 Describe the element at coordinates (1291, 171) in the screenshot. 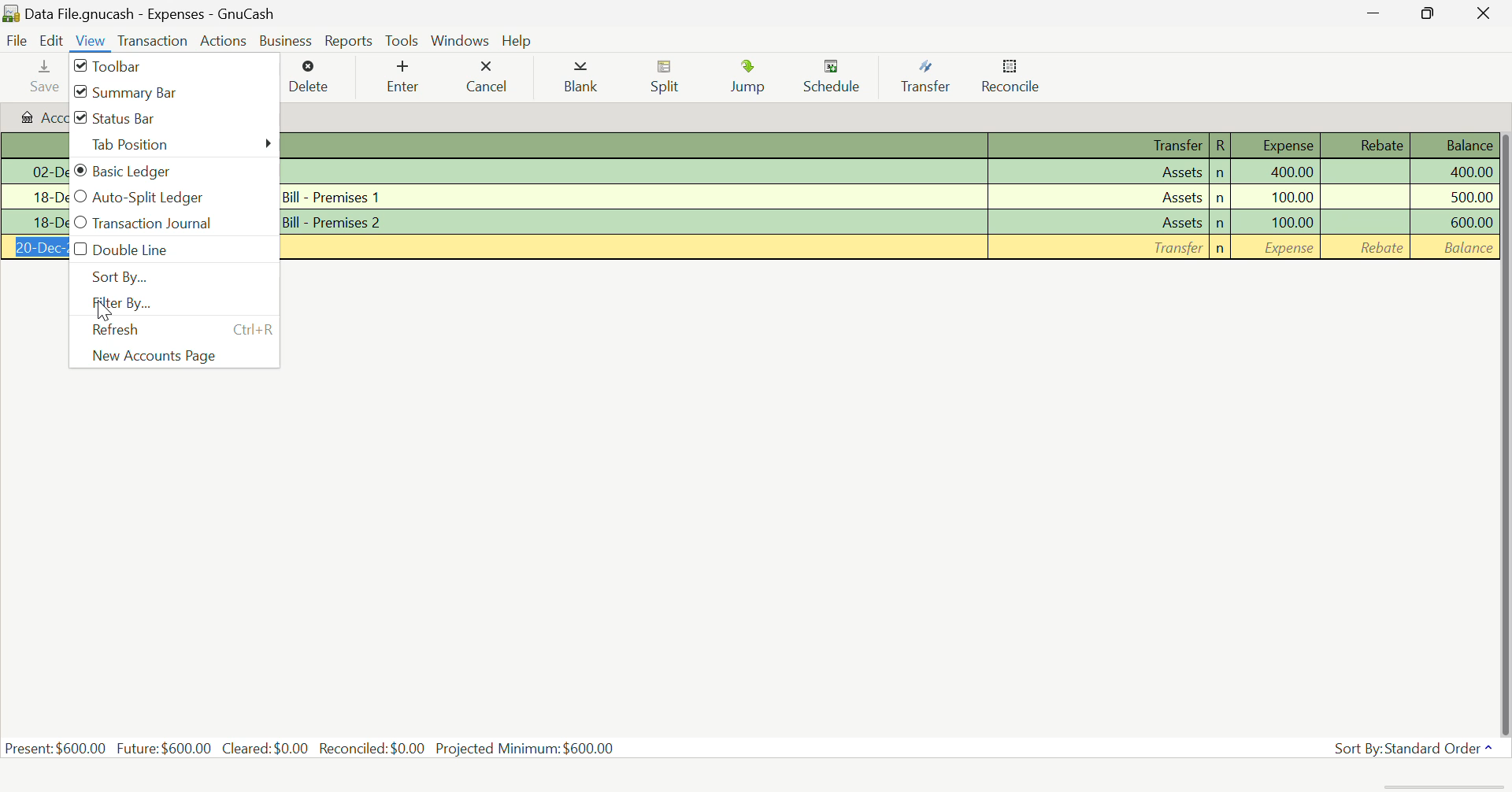

I see `Amount` at that location.